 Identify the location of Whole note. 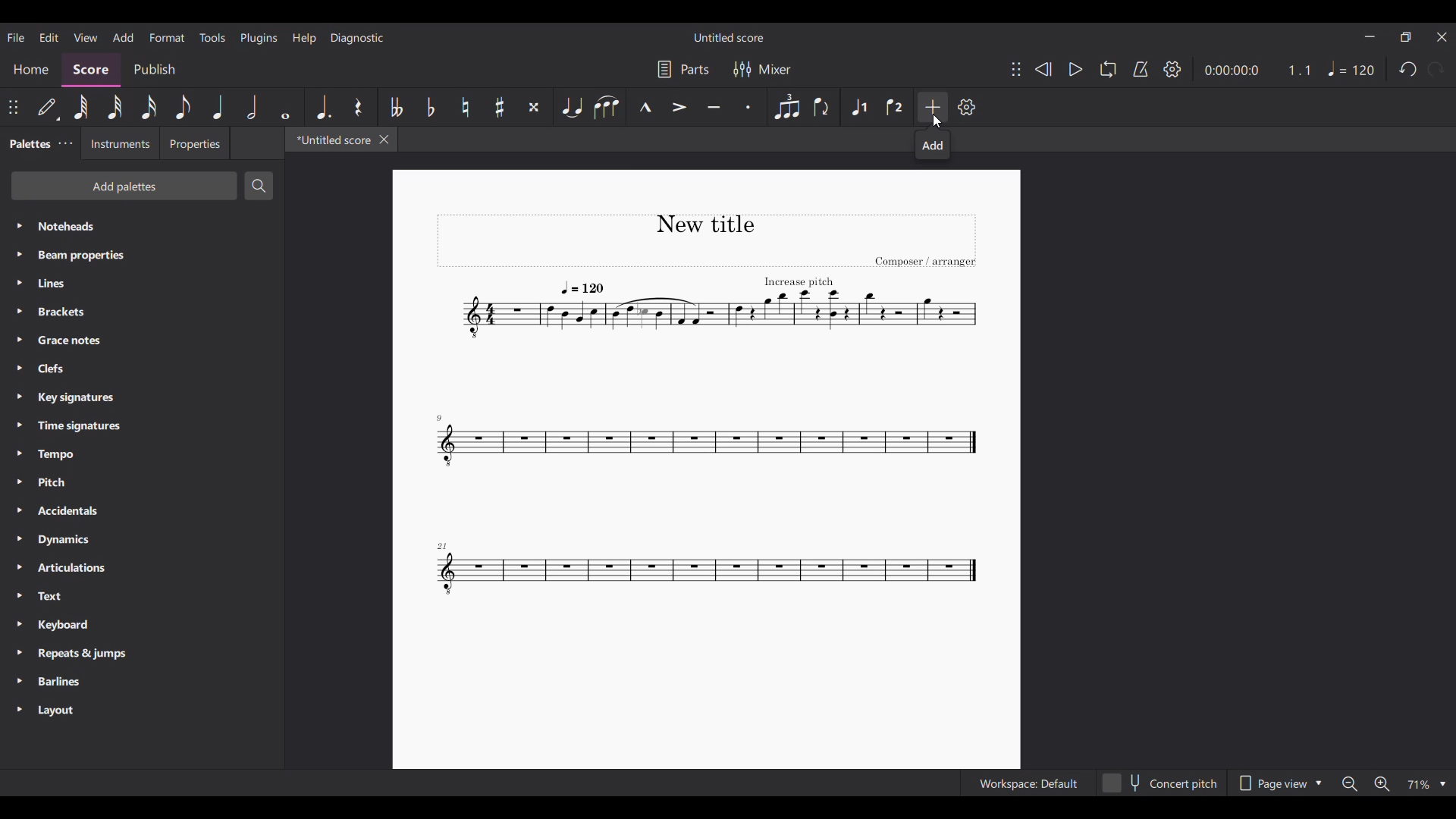
(285, 107).